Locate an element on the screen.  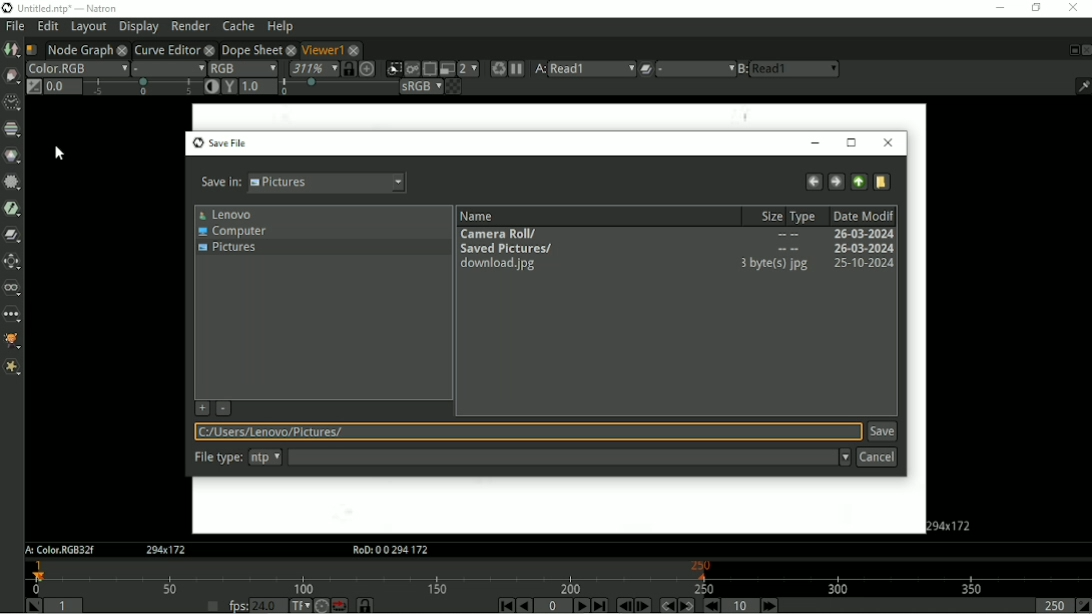
close is located at coordinates (124, 49).